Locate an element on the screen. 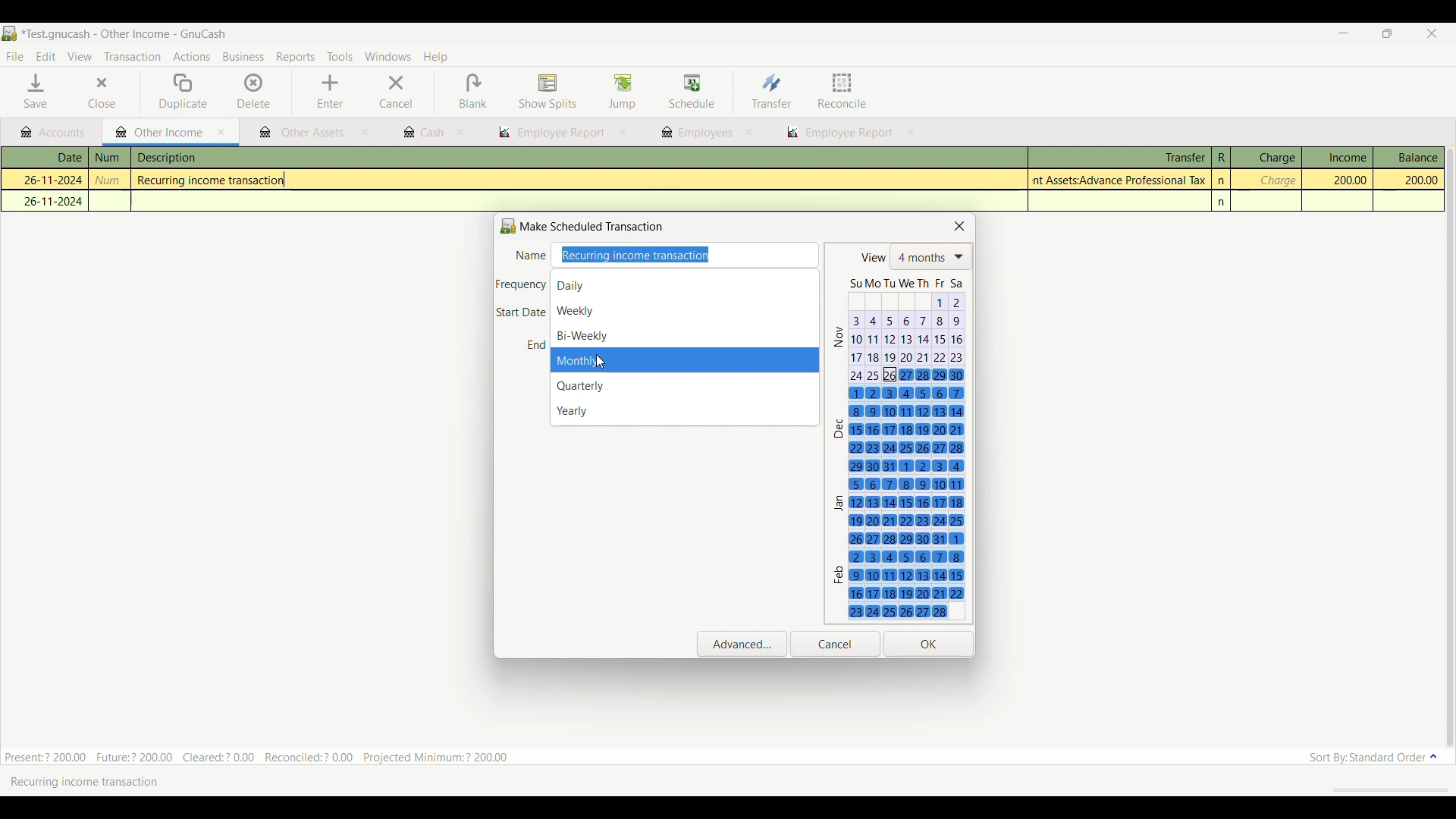 Image resolution: width=1456 pixels, height=819 pixels. Quarterly is located at coordinates (685, 388).